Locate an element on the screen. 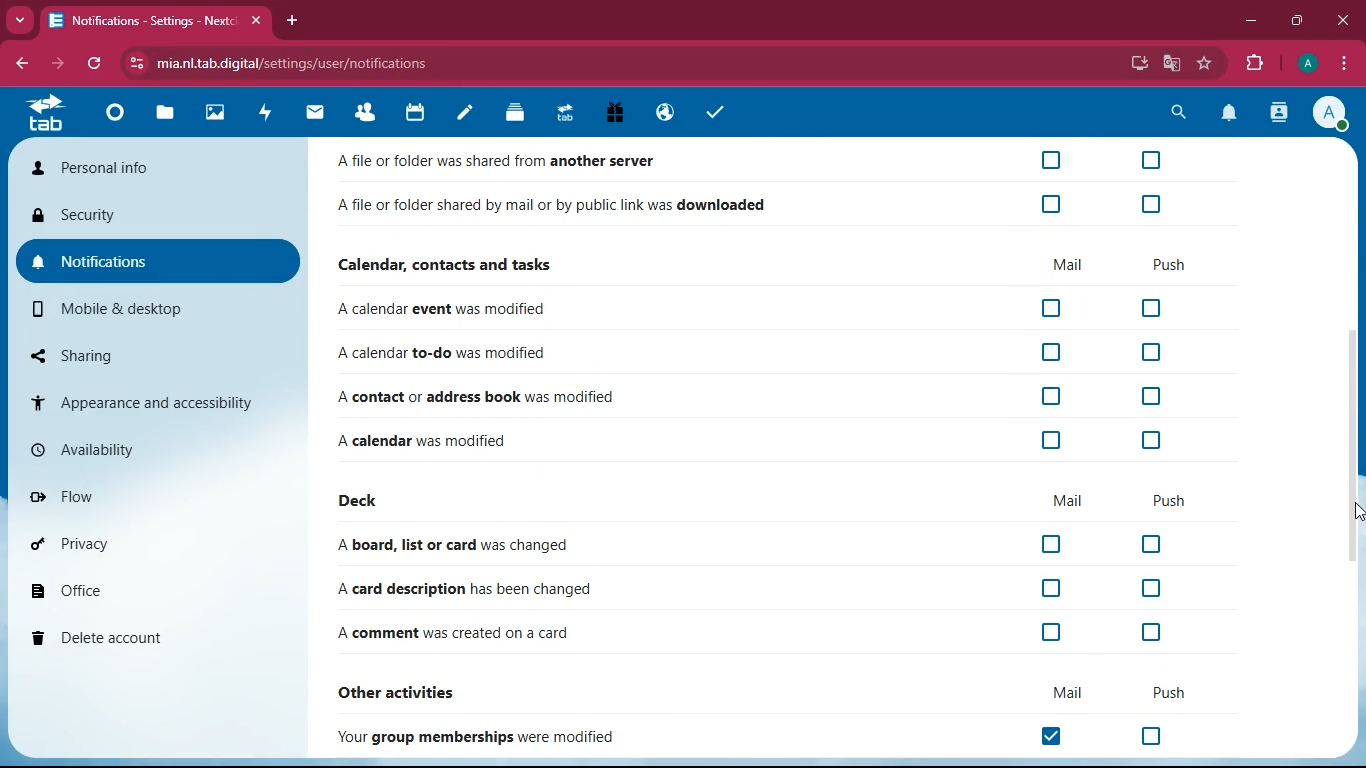 This screenshot has height=768, width=1366. favorite is located at coordinates (1204, 64).